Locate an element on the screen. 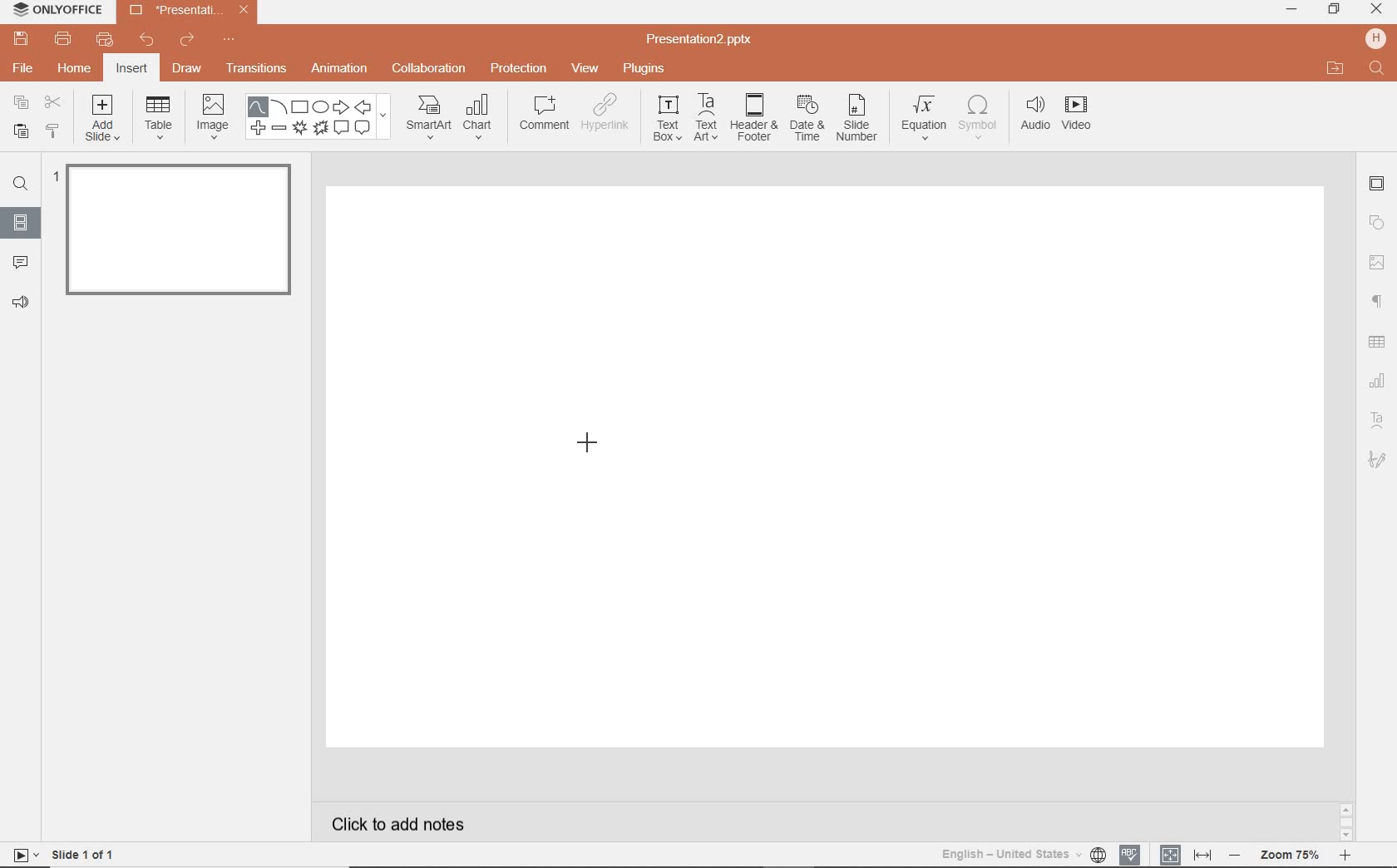 The height and width of the screenshot is (868, 1397). QUICK PRINT is located at coordinates (103, 40).